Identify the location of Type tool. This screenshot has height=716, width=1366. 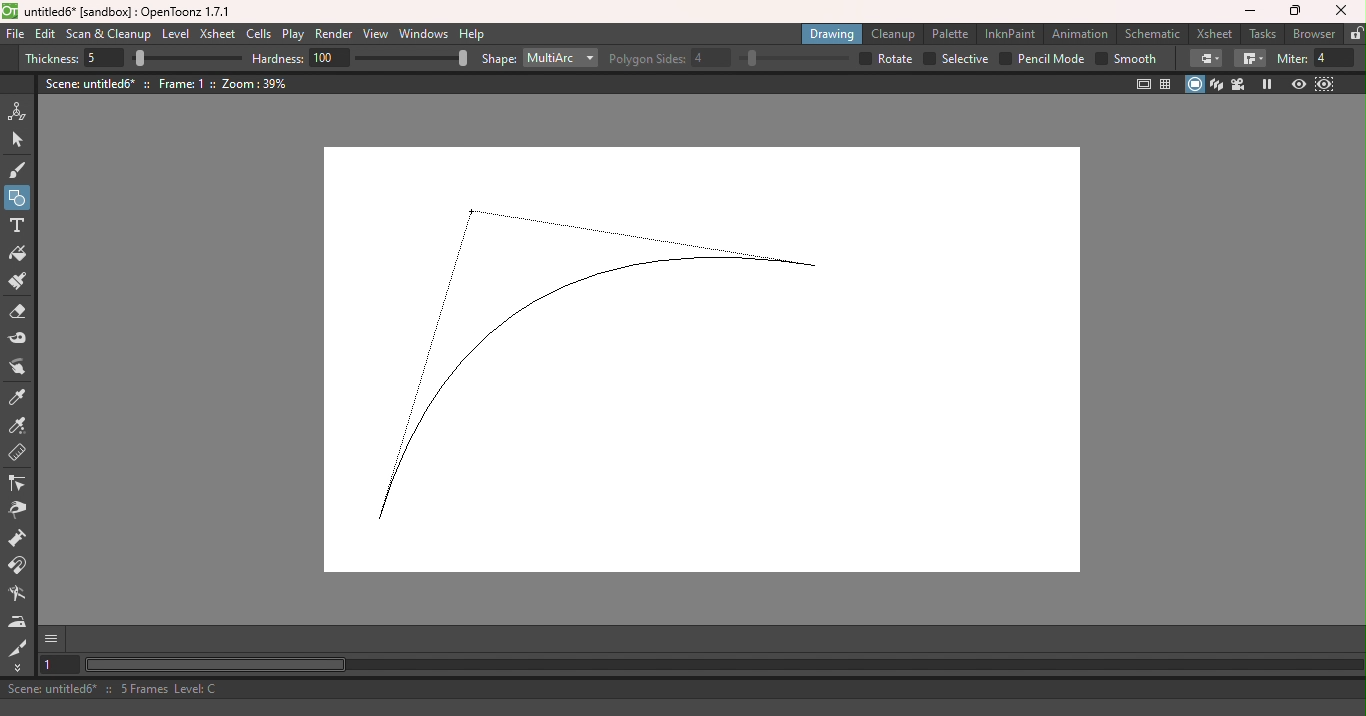
(19, 226).